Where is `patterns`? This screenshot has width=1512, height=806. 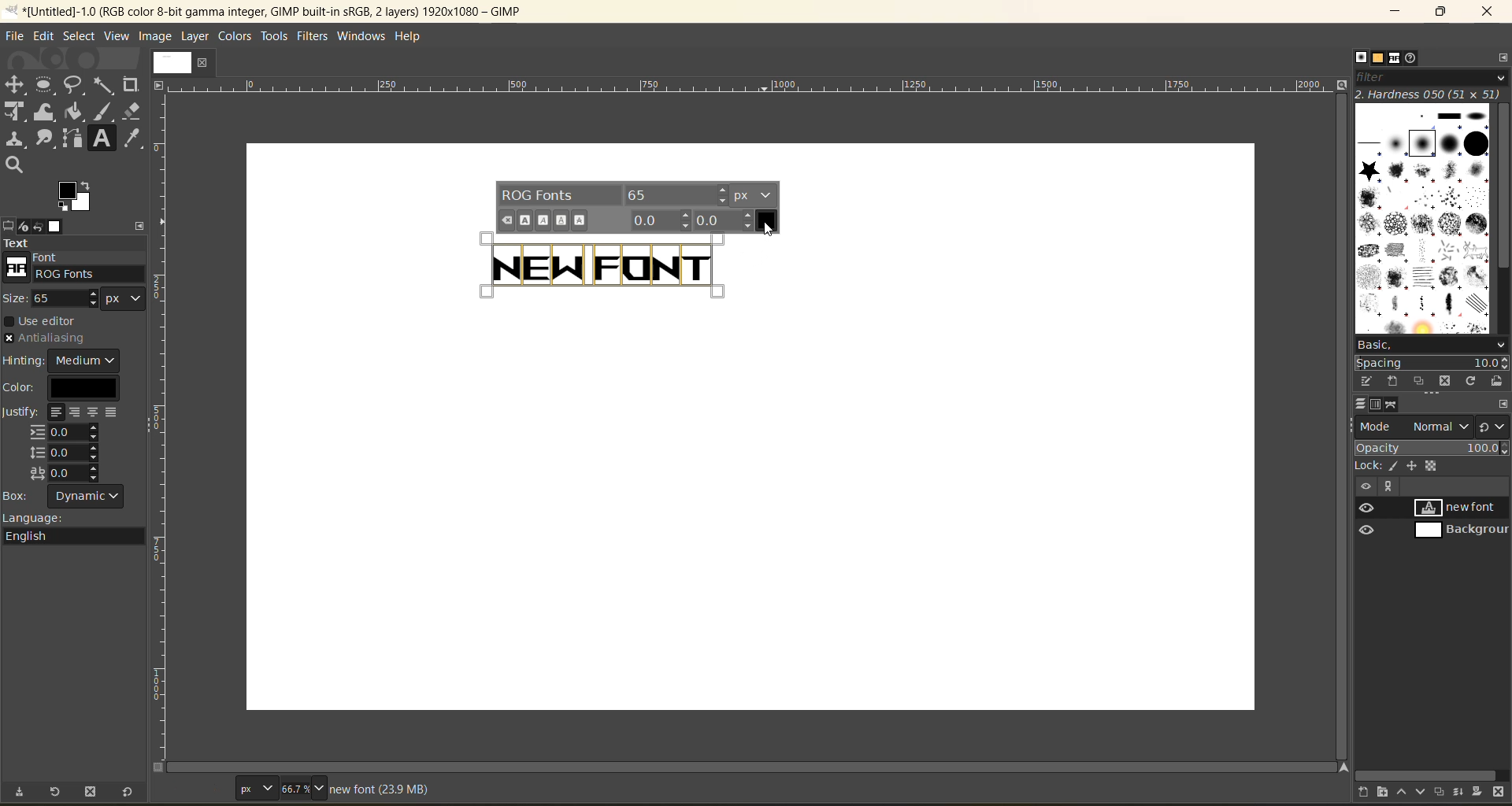
patterns is located at coordinates (1378, 57).